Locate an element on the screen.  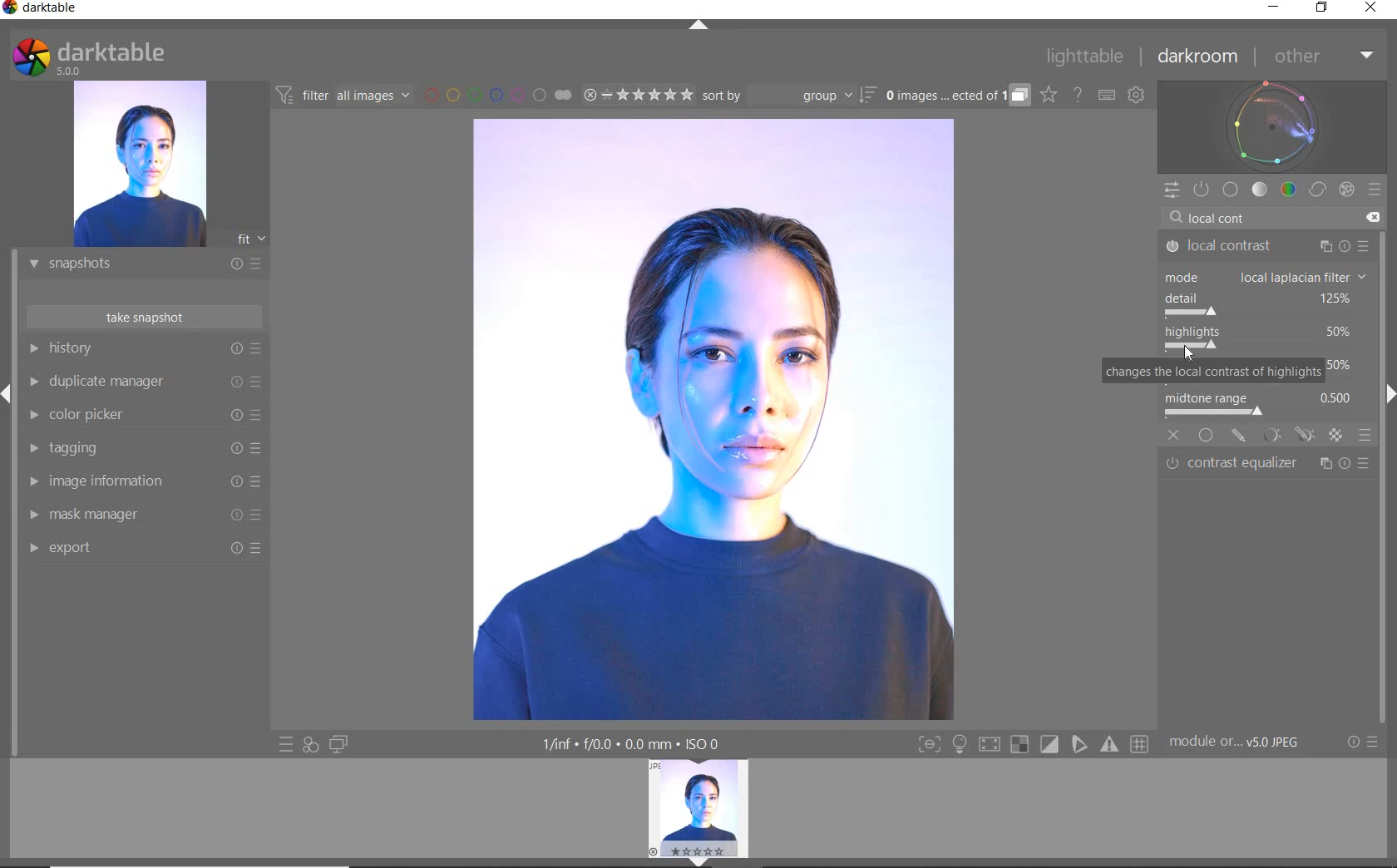
FILTER IMAGES BASED ON THEIR MODULE ORDER is located at coordinates (343, 98).